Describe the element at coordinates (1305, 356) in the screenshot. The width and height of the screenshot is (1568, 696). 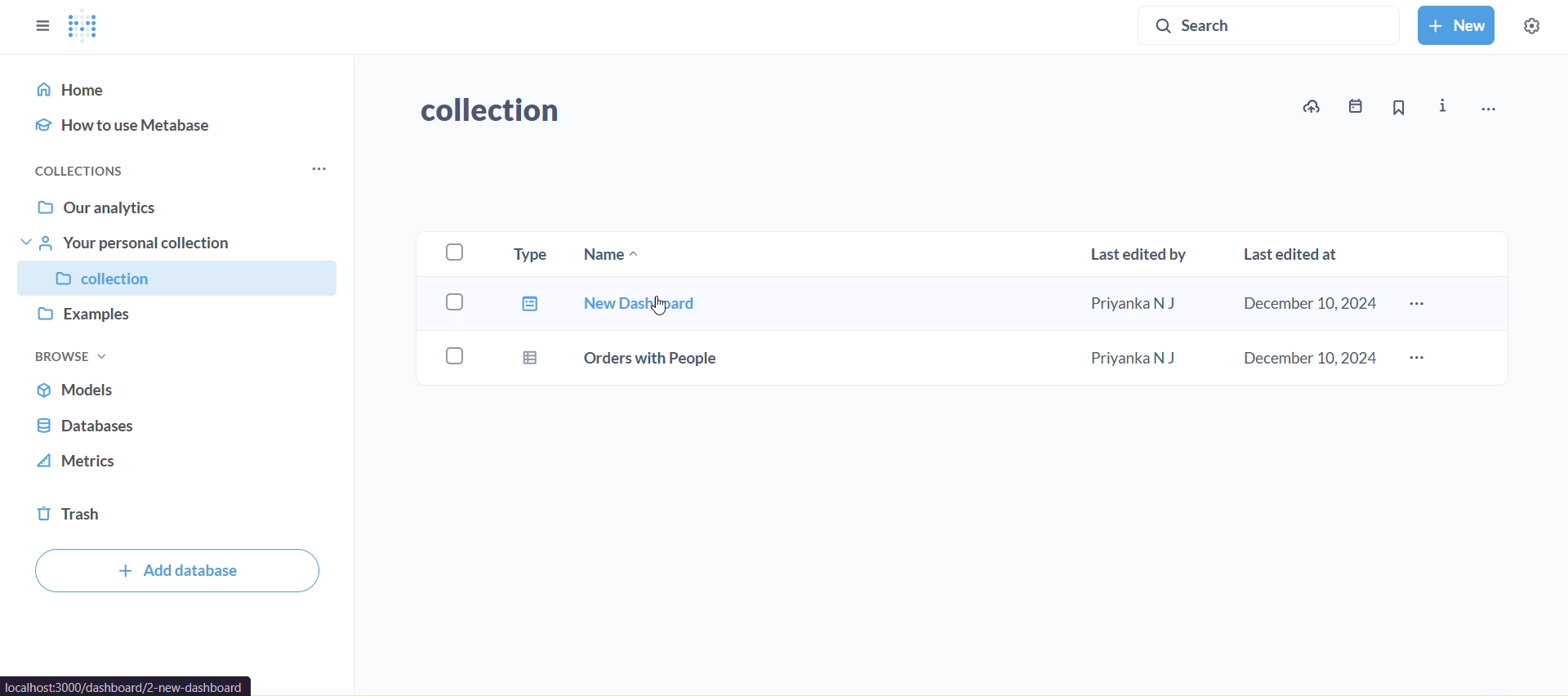
I see `december 10, 2024` at that location.